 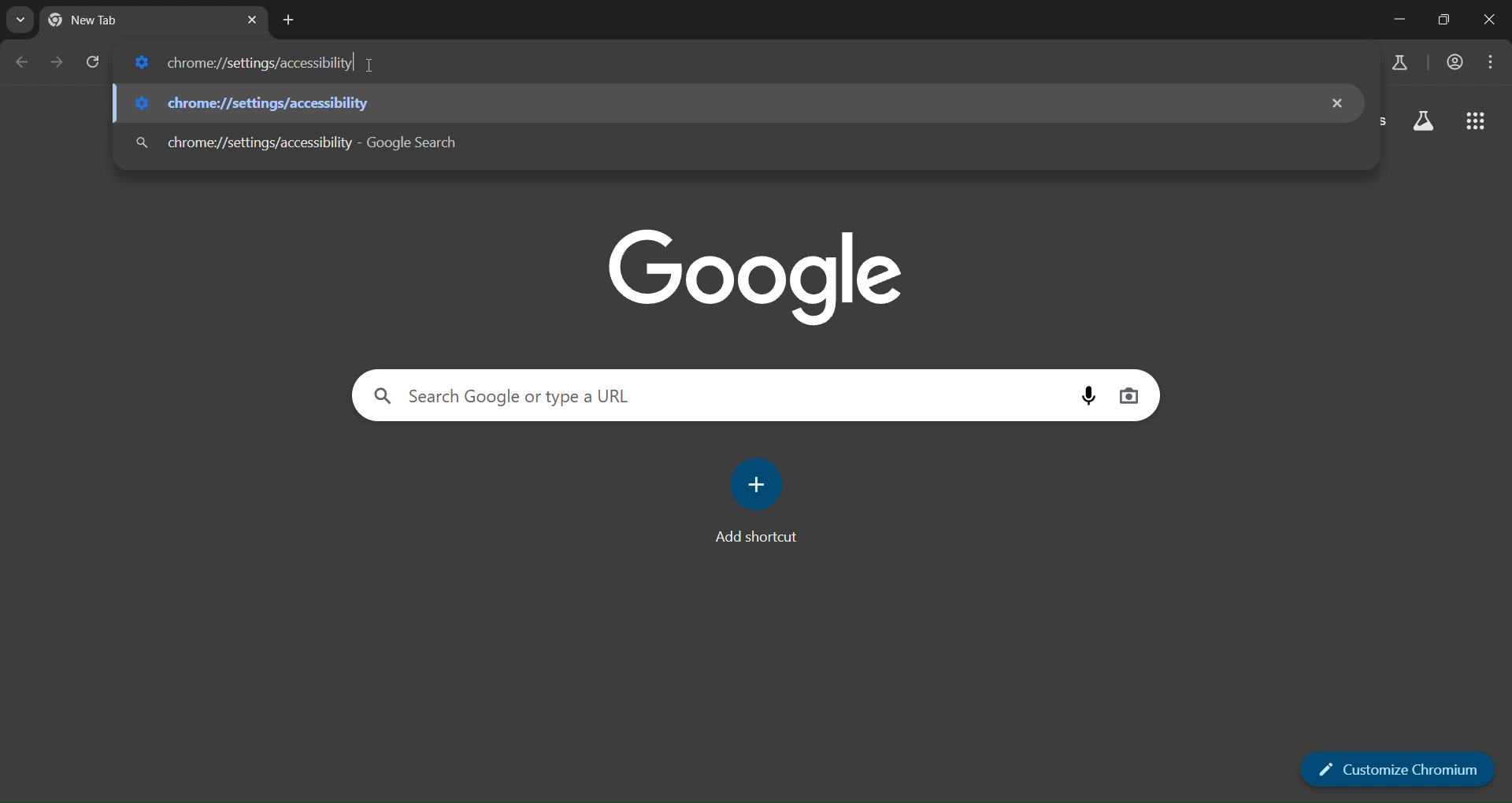 What do you see at coordinates (253, 62) in the screenshot?
I see `chrome://settings/accessibility` at bounding box center [253, 62].